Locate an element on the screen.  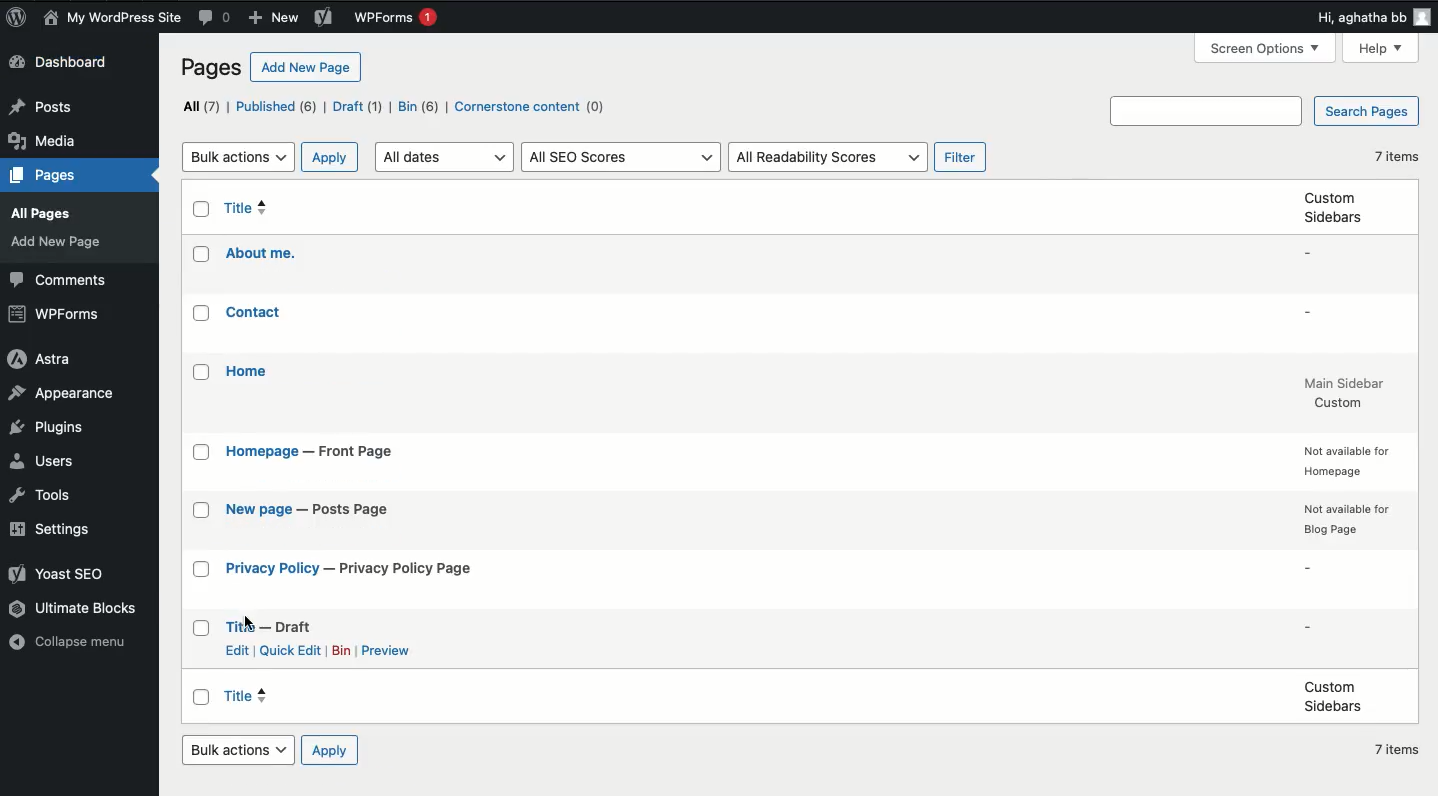
Title is located at coordinates (255, 313).